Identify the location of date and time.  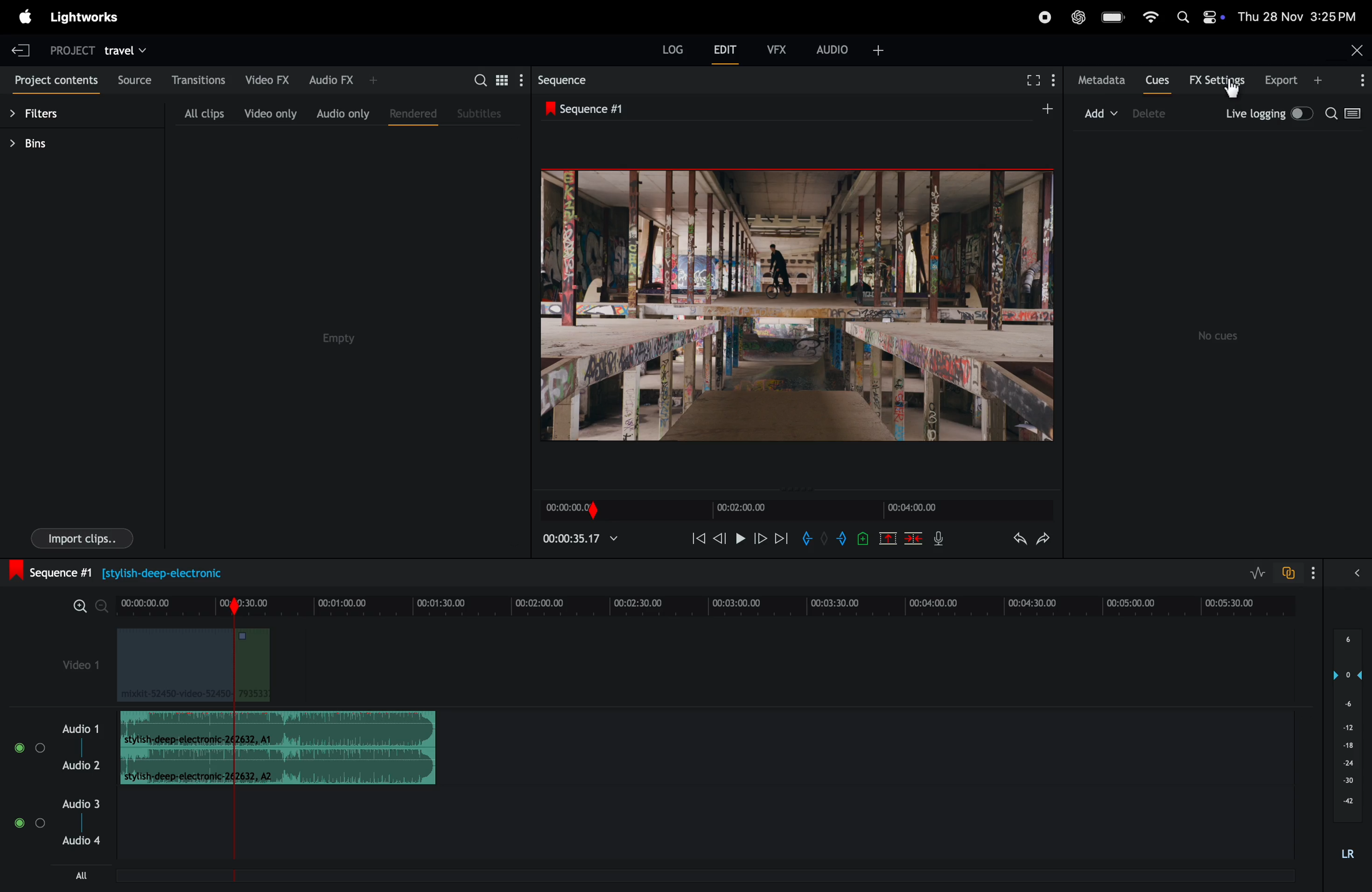
(1299, 17).